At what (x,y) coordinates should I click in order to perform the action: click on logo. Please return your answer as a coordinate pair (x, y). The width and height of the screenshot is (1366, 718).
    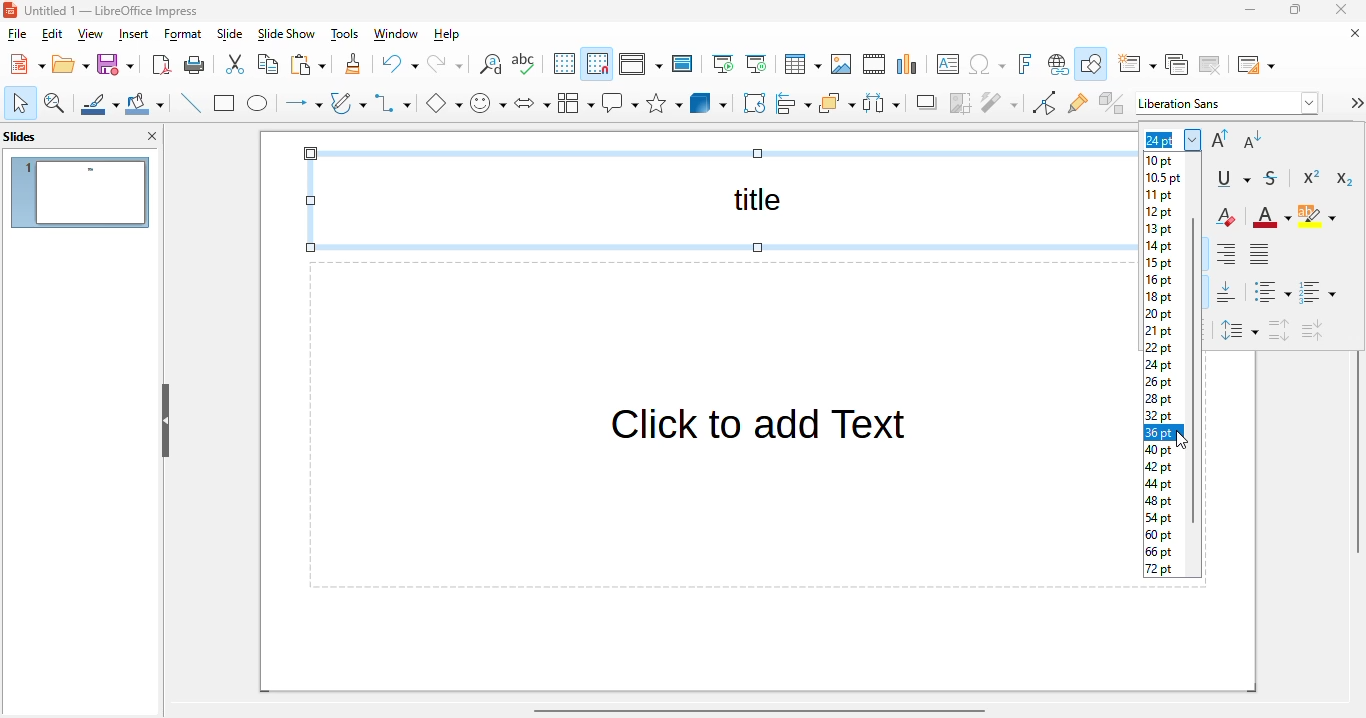
    Looking at the image, I should click on (10, 11).